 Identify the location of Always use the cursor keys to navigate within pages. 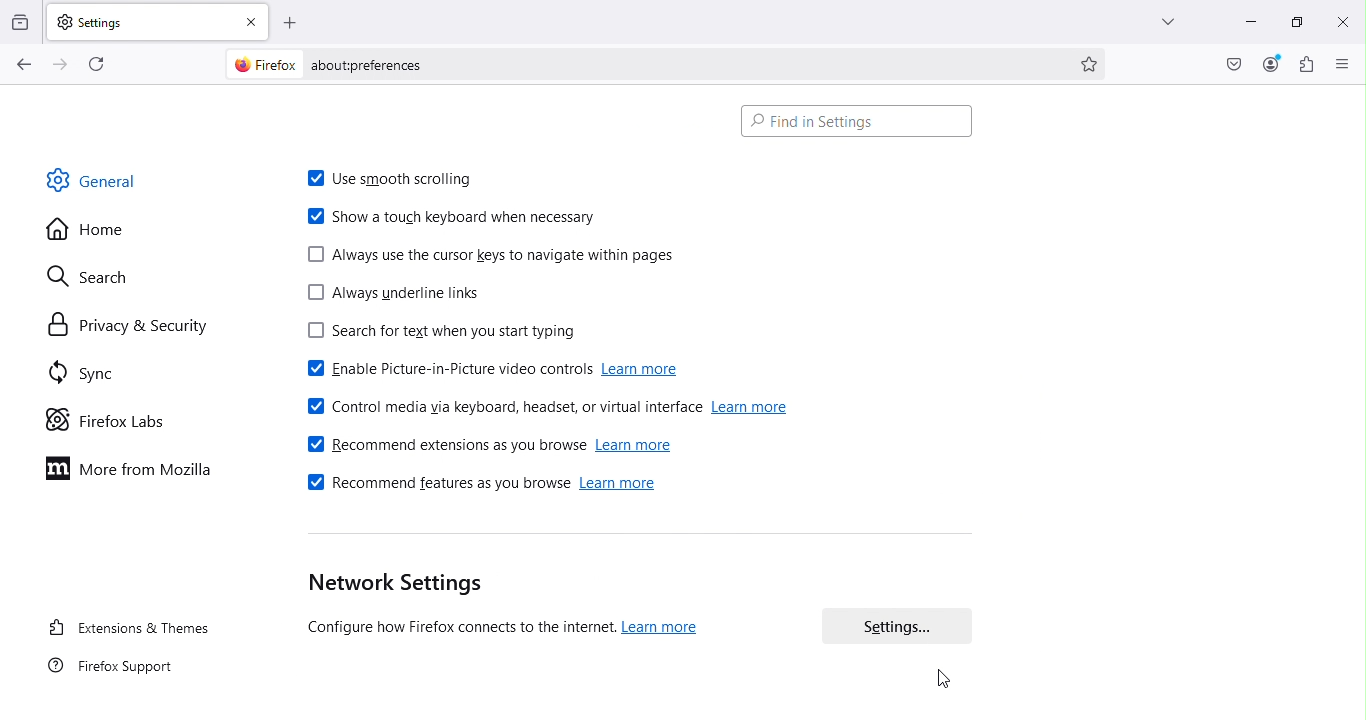
(496, 252).